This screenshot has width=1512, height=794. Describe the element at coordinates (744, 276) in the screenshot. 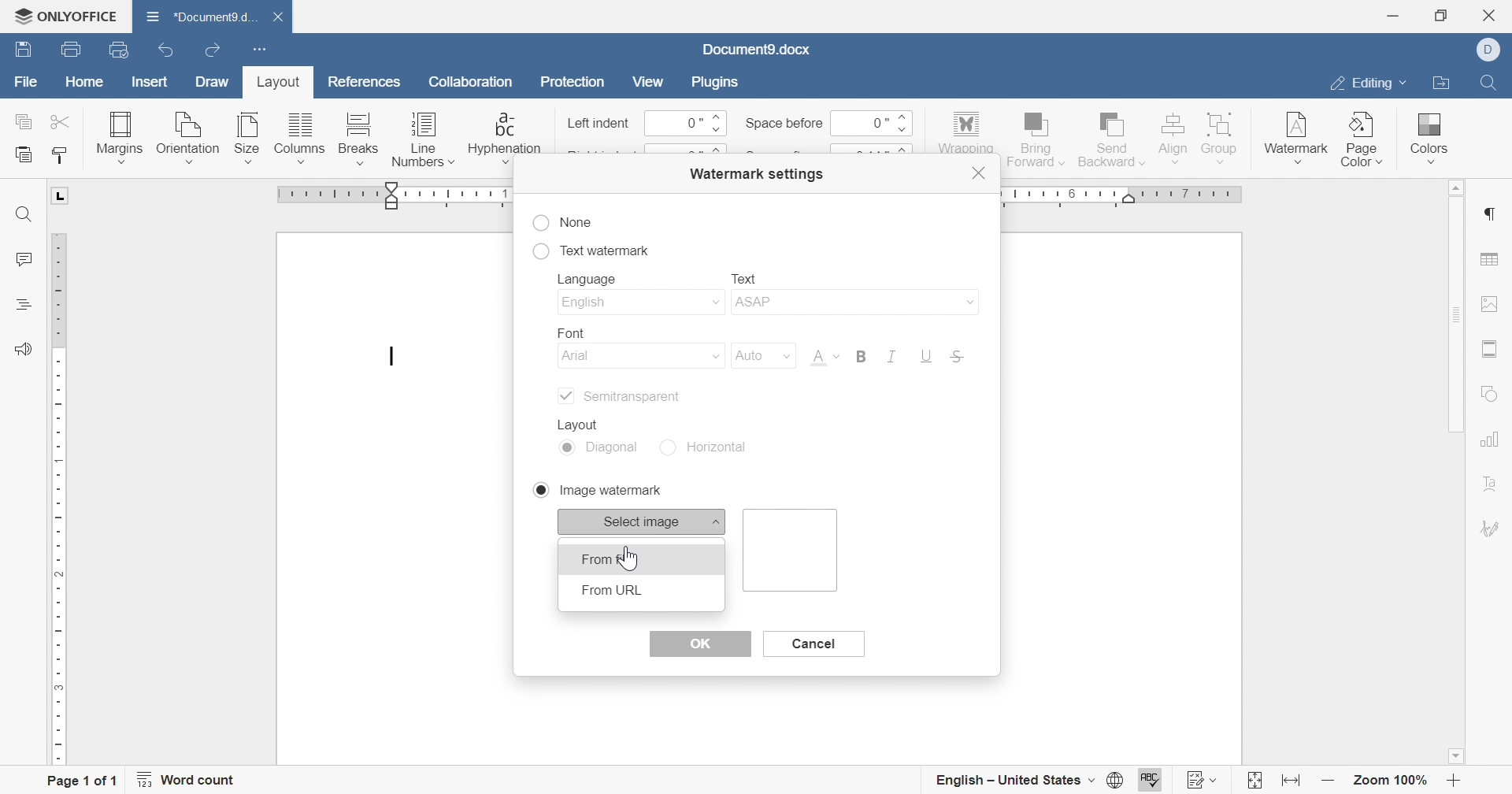

I see `text` at that location.